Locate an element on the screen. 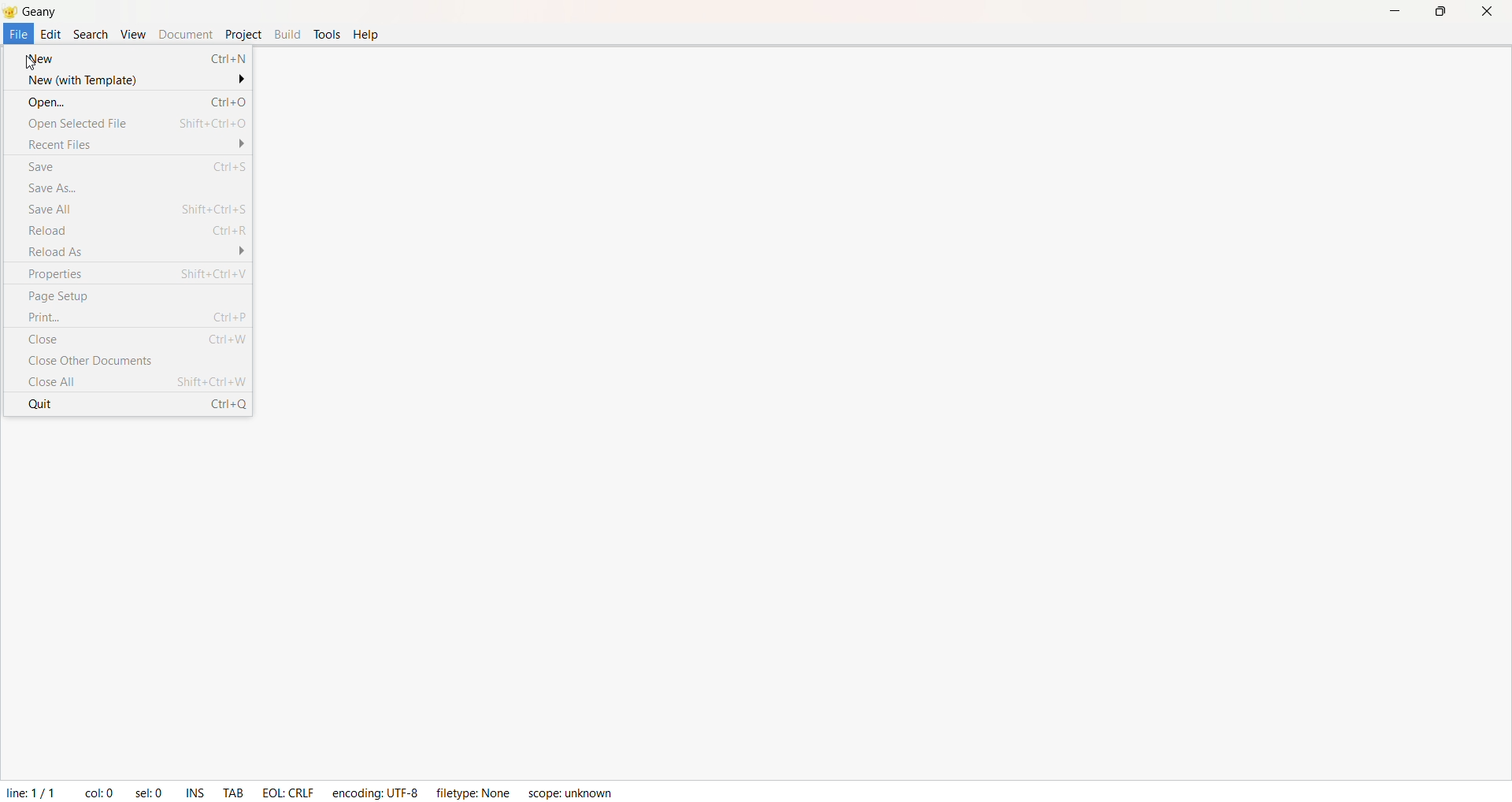 Image resolution: width=1512 pixels, height=802 pixels. Recent File is located at coordinates (138, 143).